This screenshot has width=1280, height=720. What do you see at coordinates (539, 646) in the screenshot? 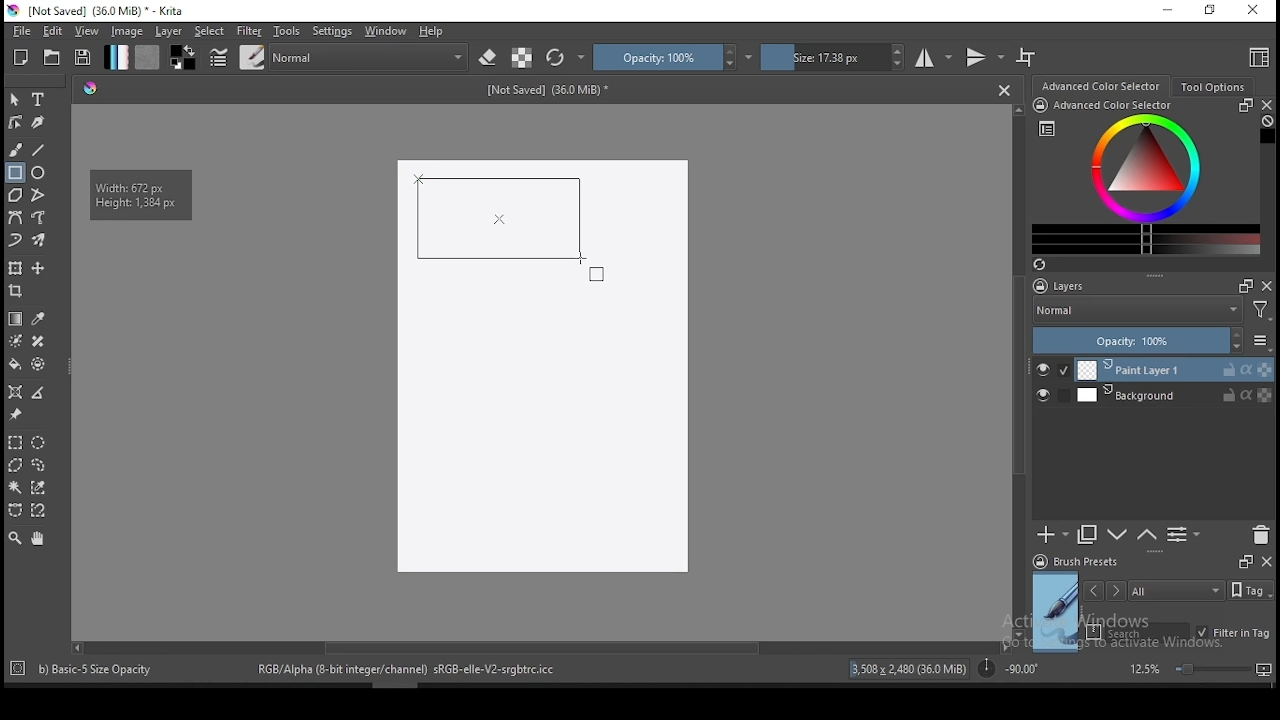
I see `scroll bar` at bounding box center [539, 646].